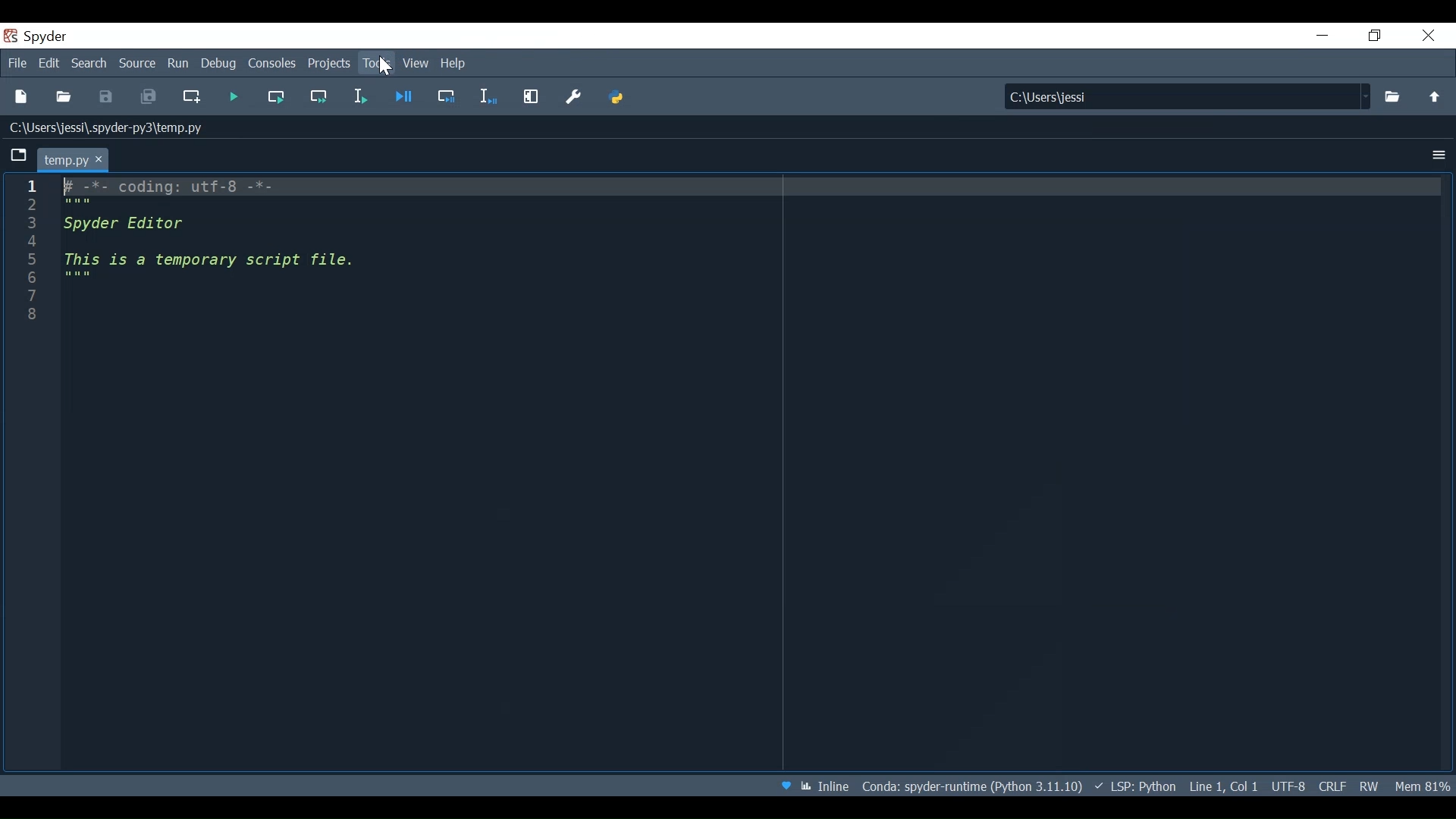 The image size is (1456, 819). What do you see at coordinates (1134, 786) in the screenshot?
I see `Language` at bounding box center [1134, 786].